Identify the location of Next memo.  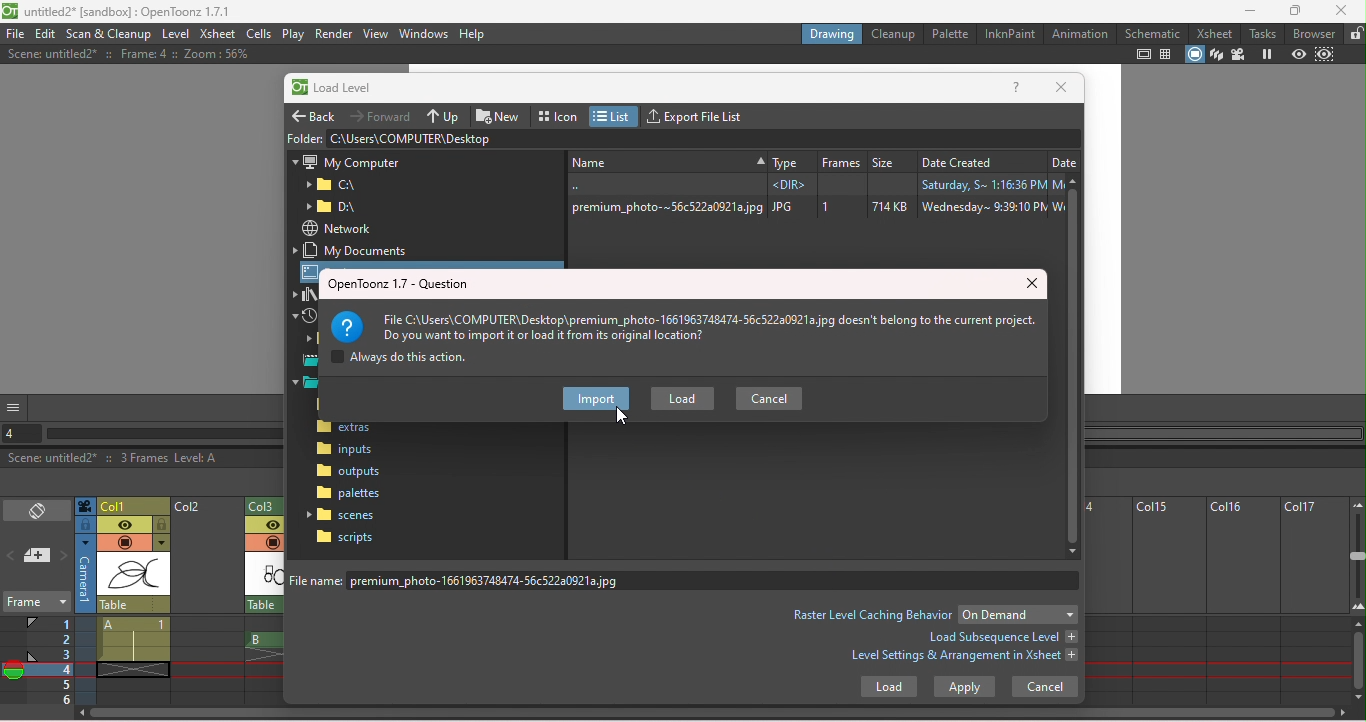
(64, 557).